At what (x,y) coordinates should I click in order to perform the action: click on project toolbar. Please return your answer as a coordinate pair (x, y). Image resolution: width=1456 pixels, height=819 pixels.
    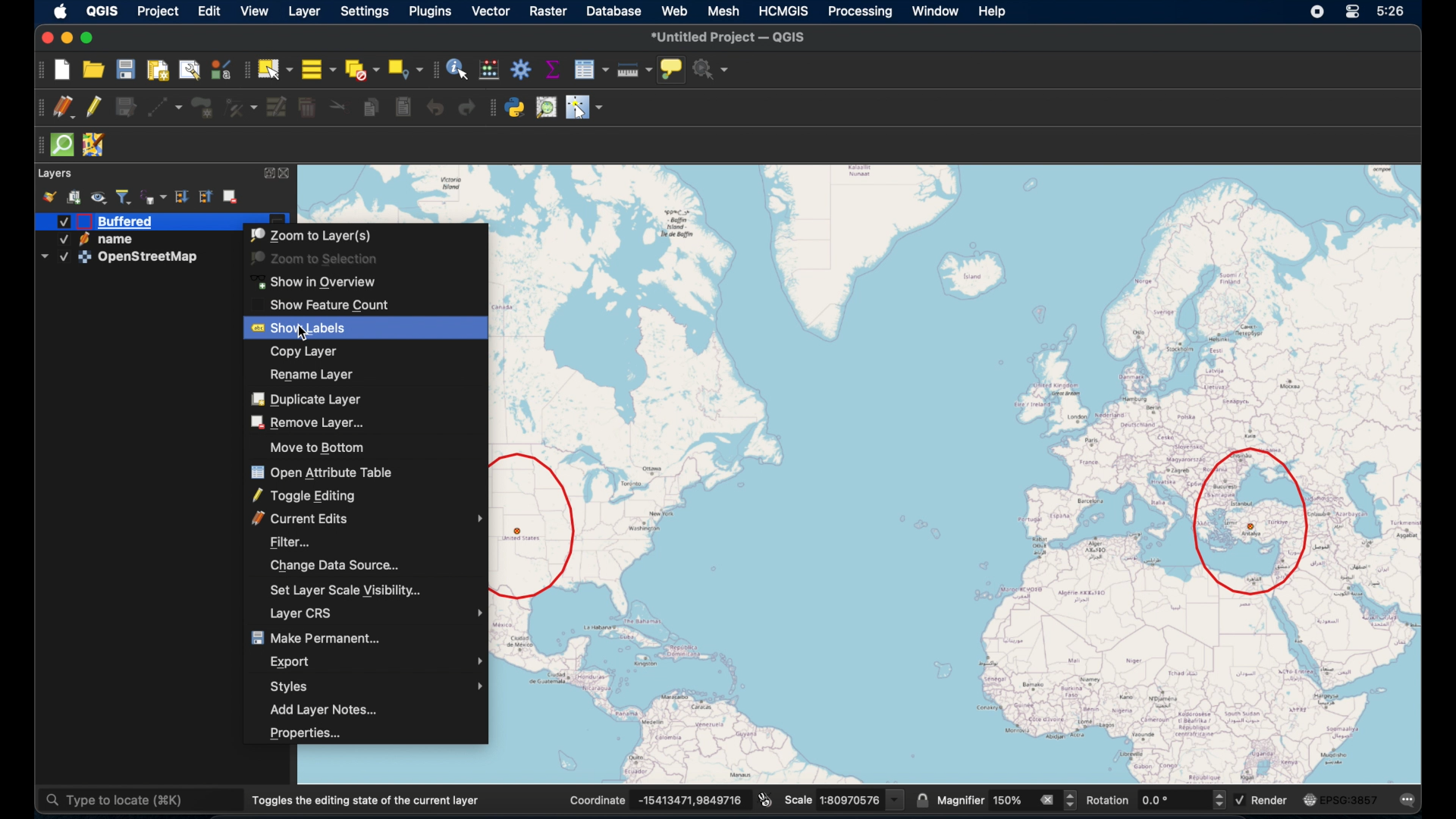
    Looking at the image, I should click on (38, 69).